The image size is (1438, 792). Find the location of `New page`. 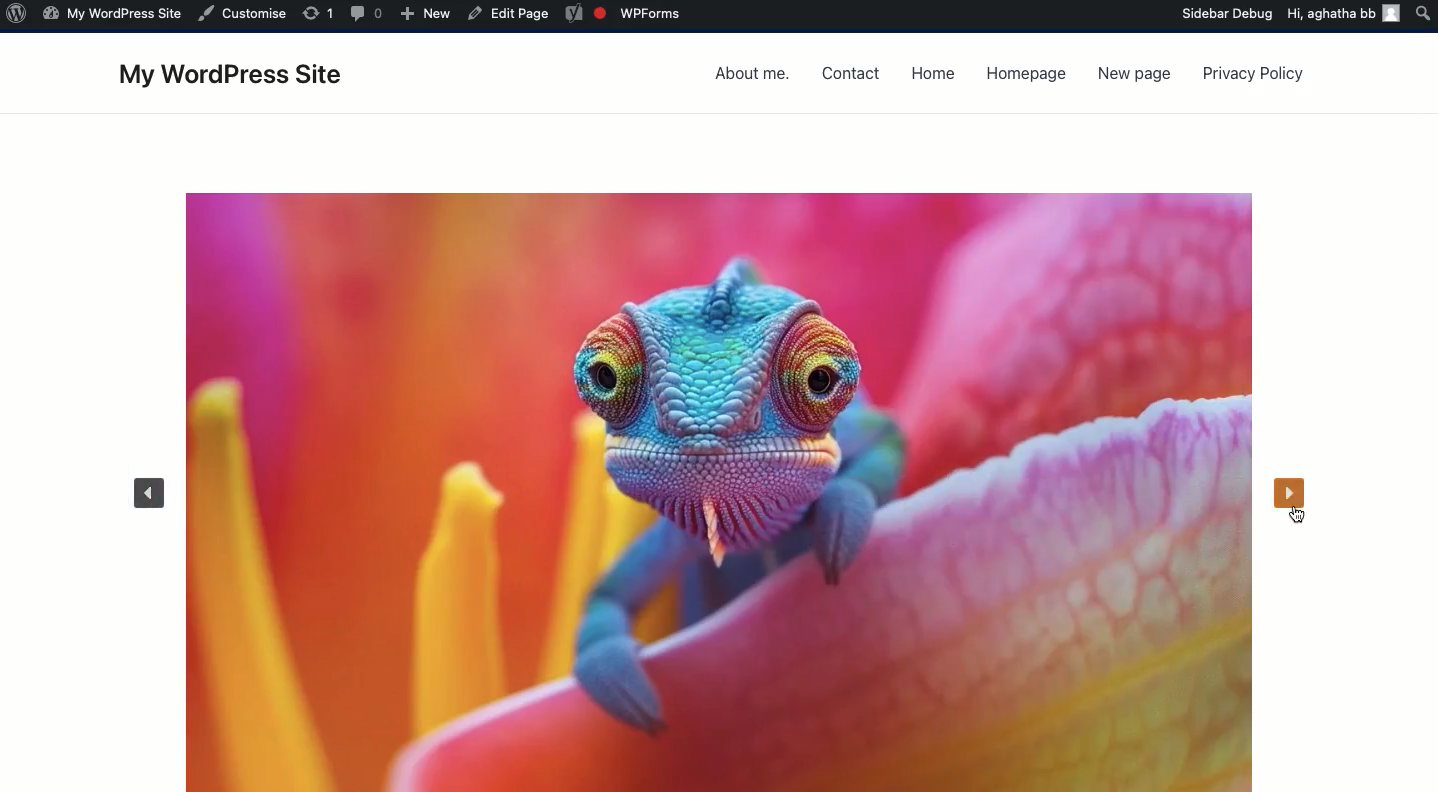

New page is located at coordinates (1129, 77).